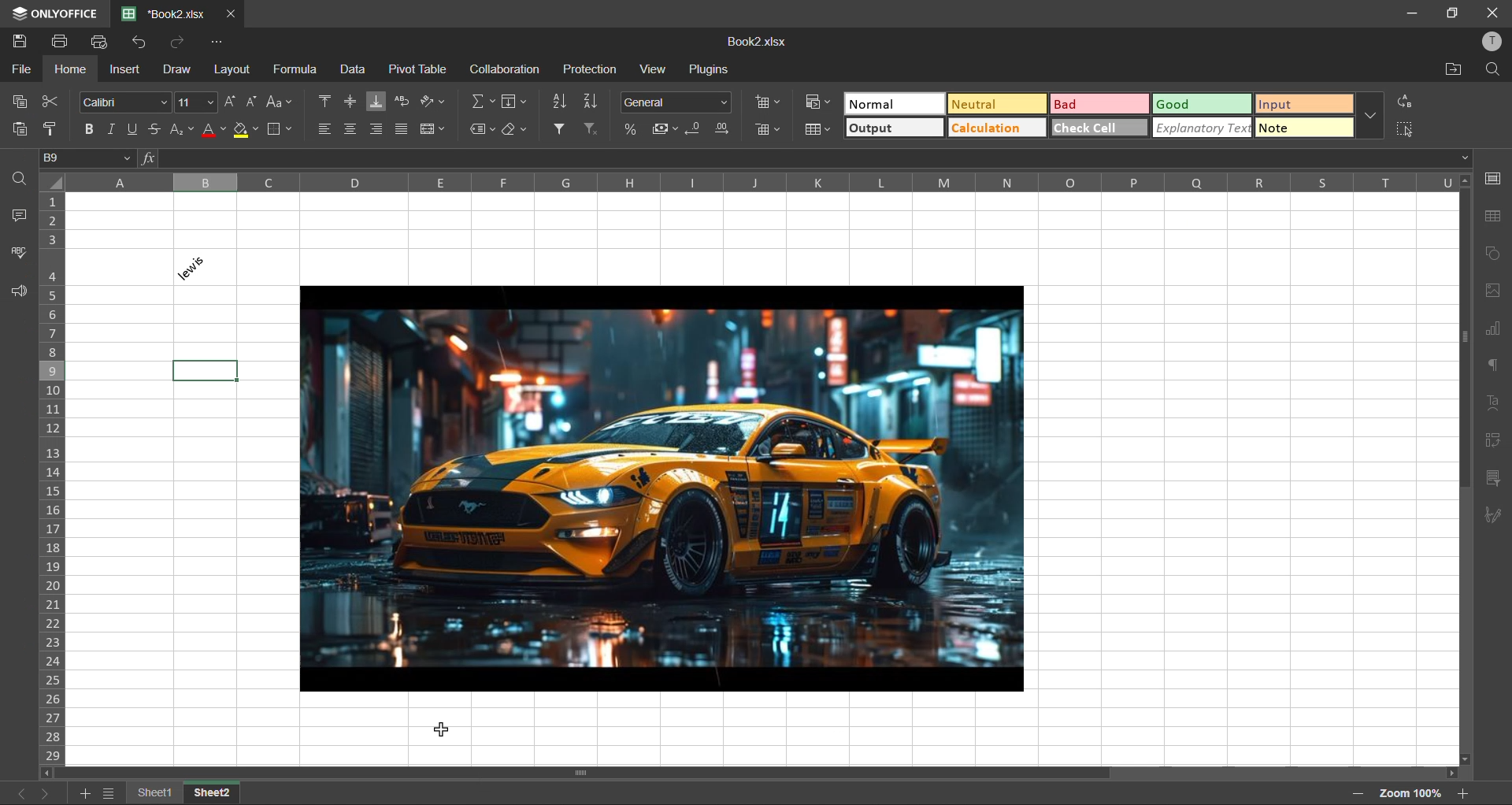  Describe the element at coordinates (482, 128) in the screenshot. I see `named ranges` at that location.